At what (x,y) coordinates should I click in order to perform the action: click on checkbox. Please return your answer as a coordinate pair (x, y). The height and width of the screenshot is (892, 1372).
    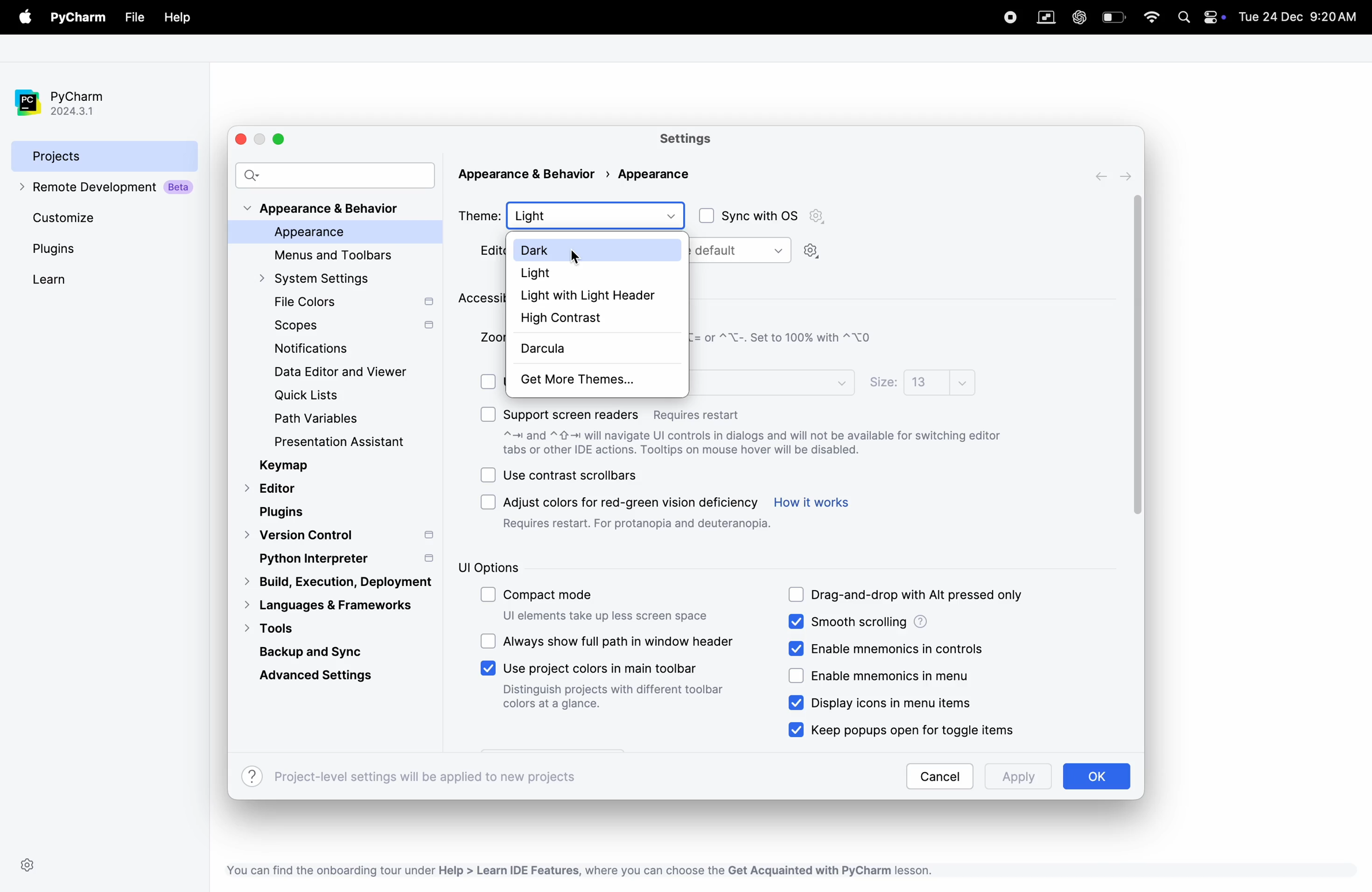
    Looking at the image, I should click on (797, 703).